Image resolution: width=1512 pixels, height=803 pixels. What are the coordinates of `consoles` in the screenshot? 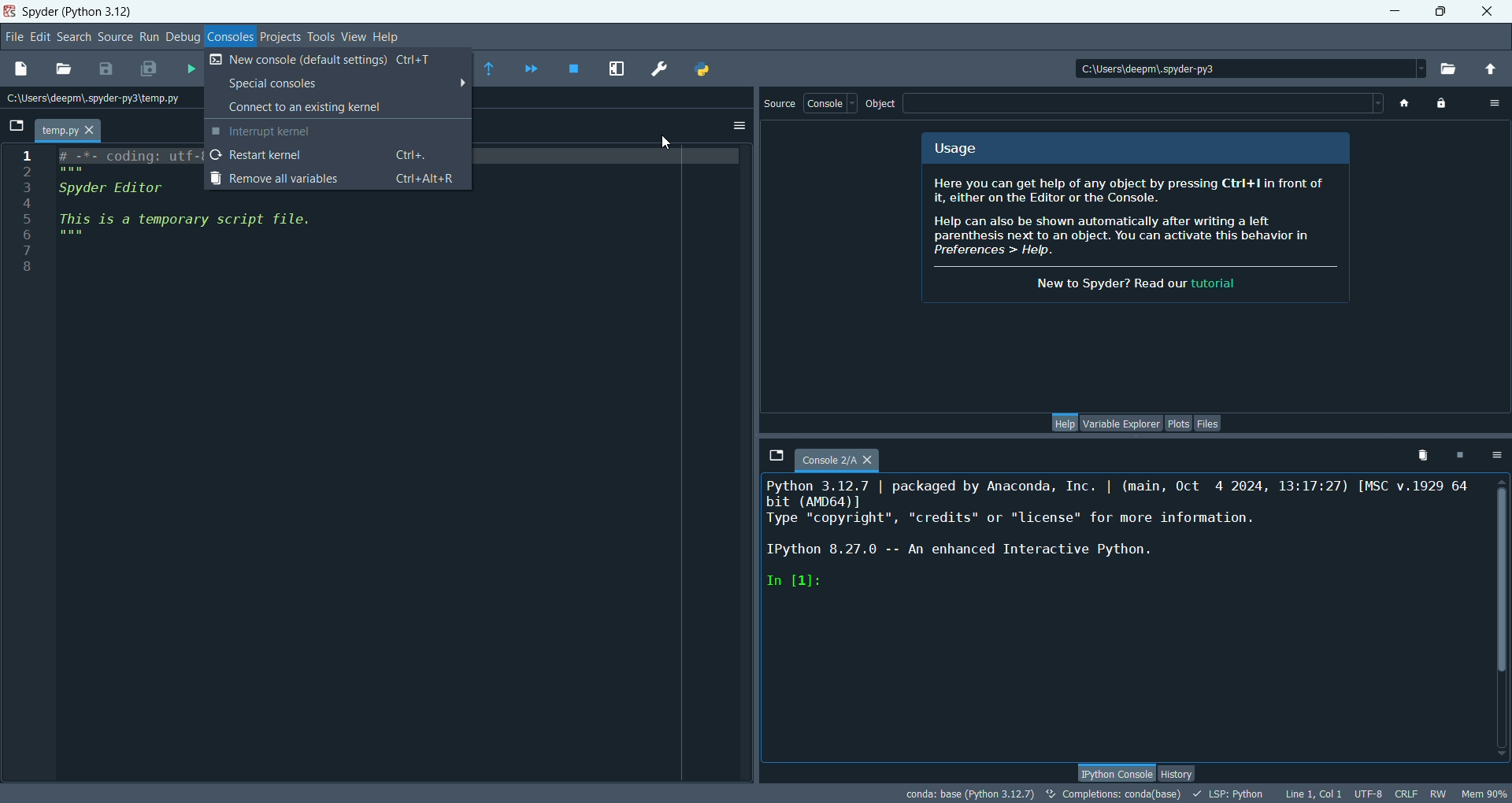 It's located at (231, 36).